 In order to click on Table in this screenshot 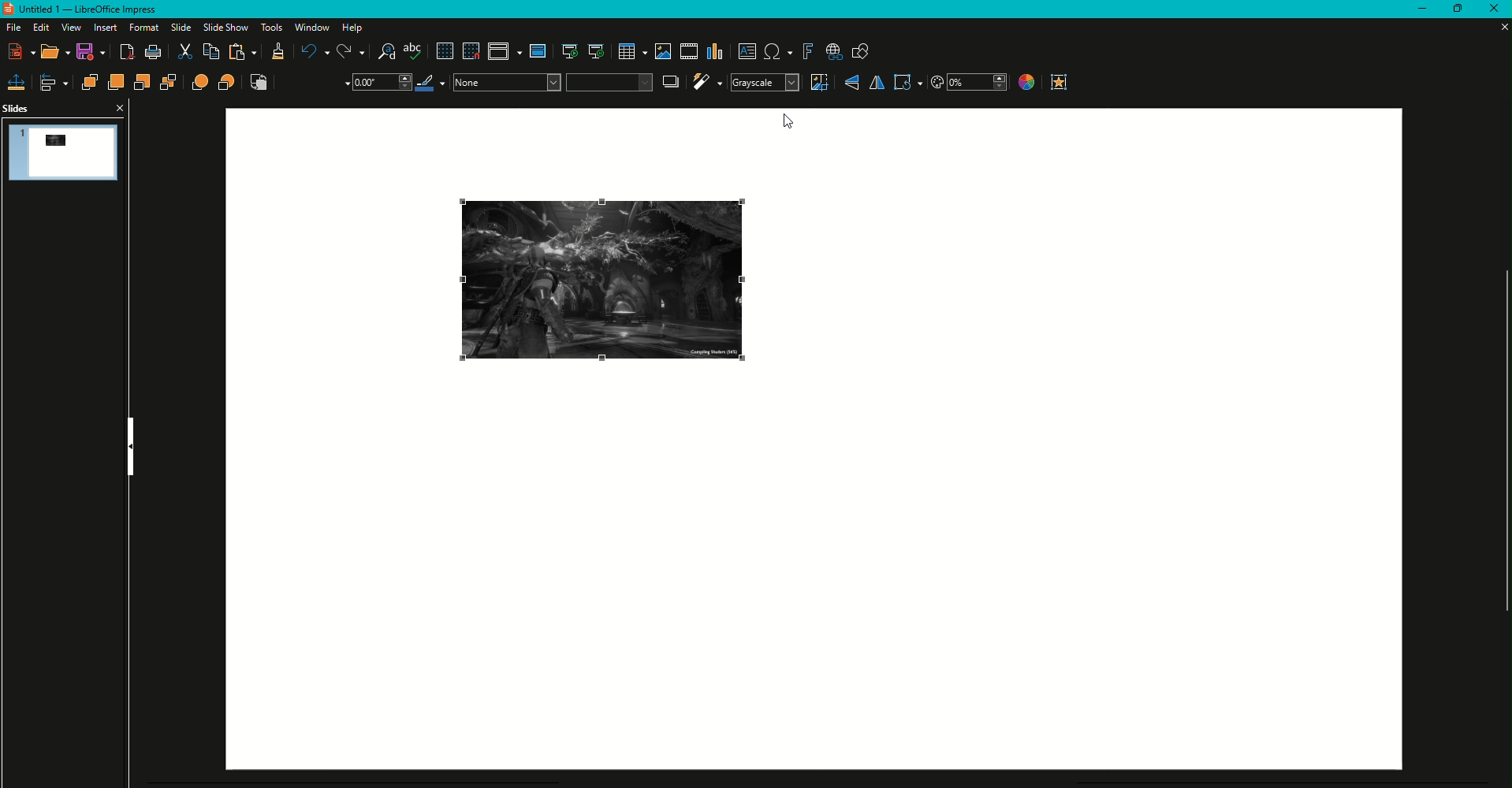, I will do `click(631, 52)`.